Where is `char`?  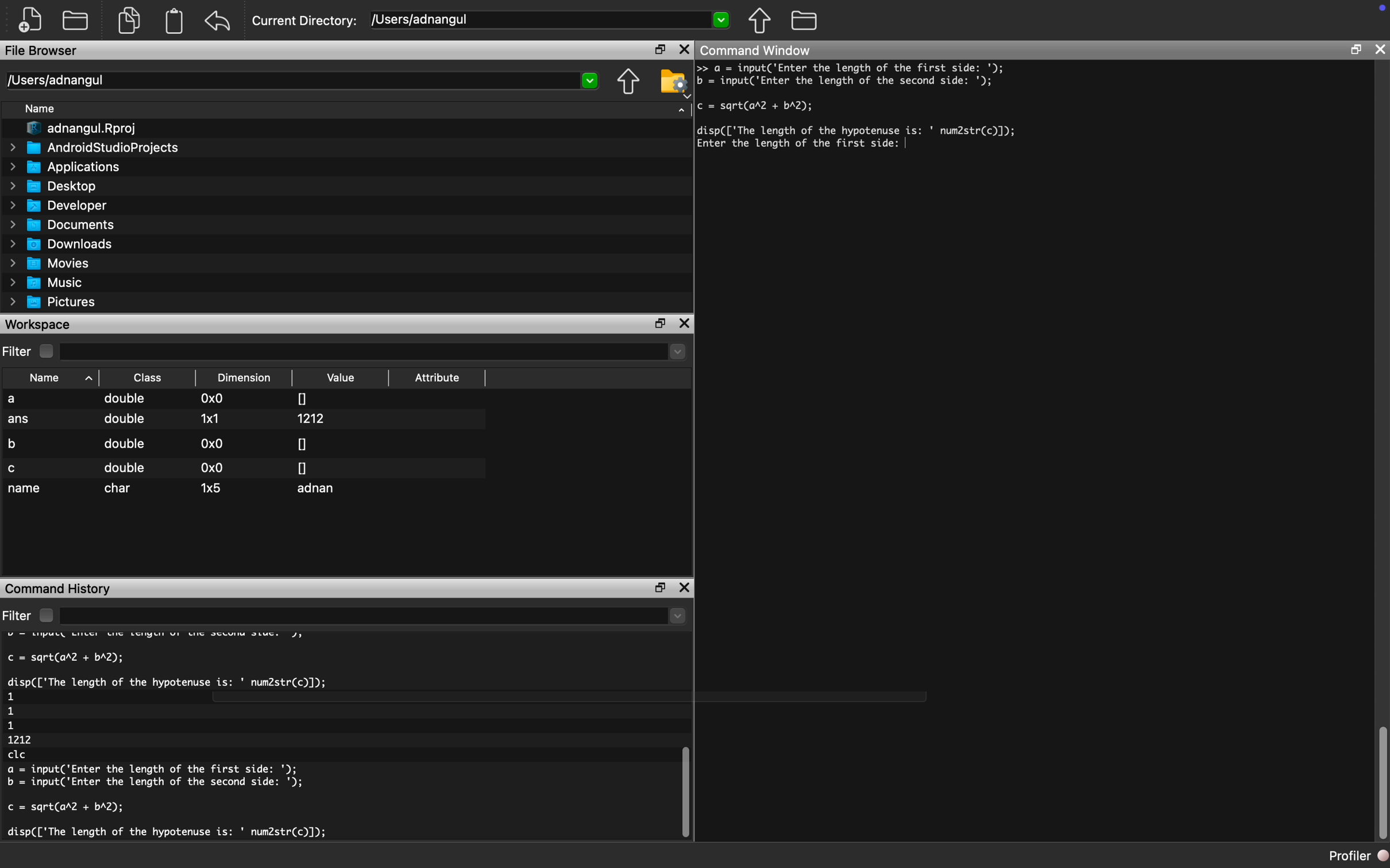 char is located at coordinates (121, 489).